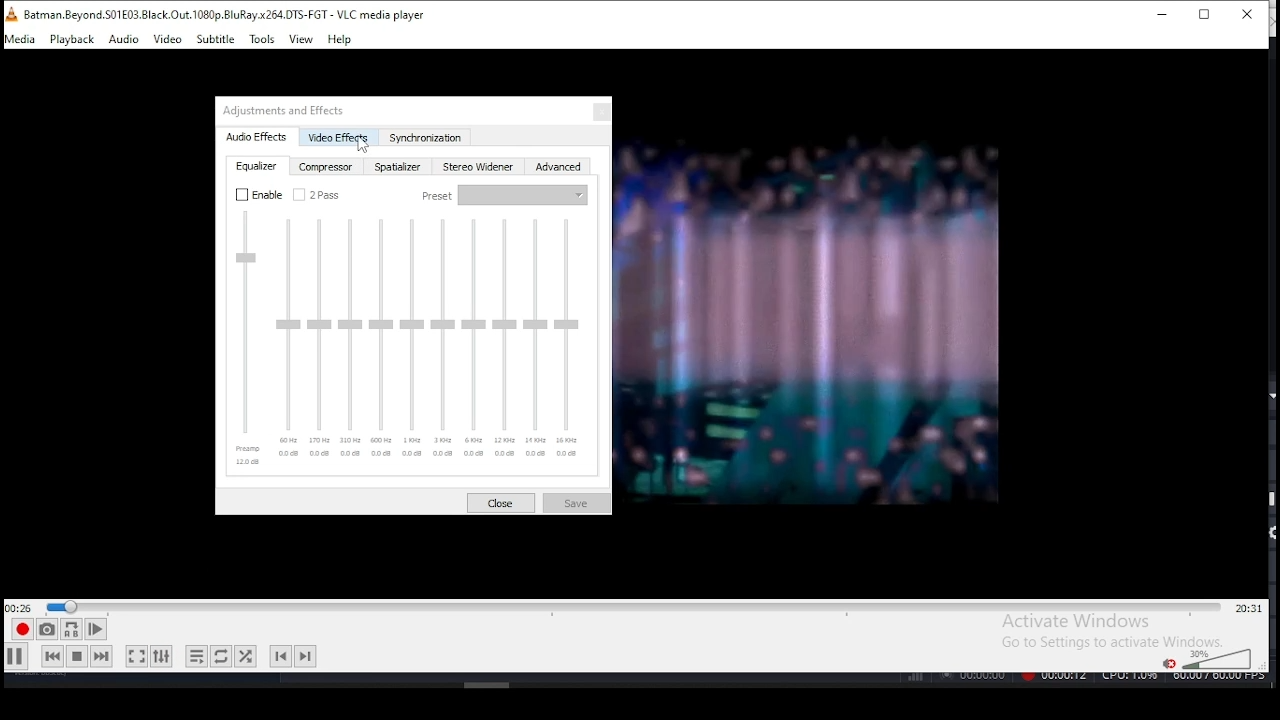 The image size is (1280, 720). Describe the element at coordinates (1158, 14) in the screenshot. I see `minimize` at that location.